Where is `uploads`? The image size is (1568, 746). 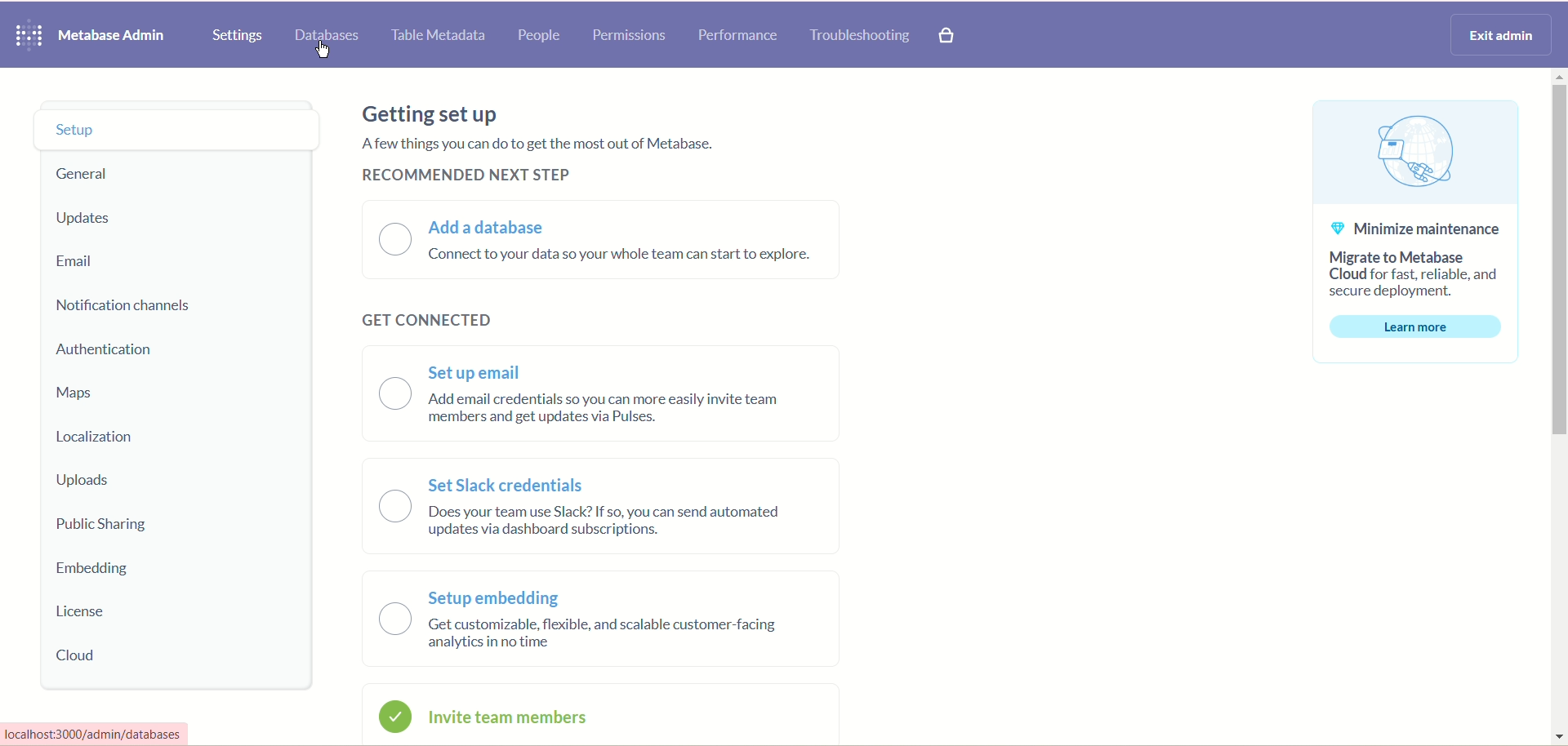
uploads is located at coordinates (87, 481).